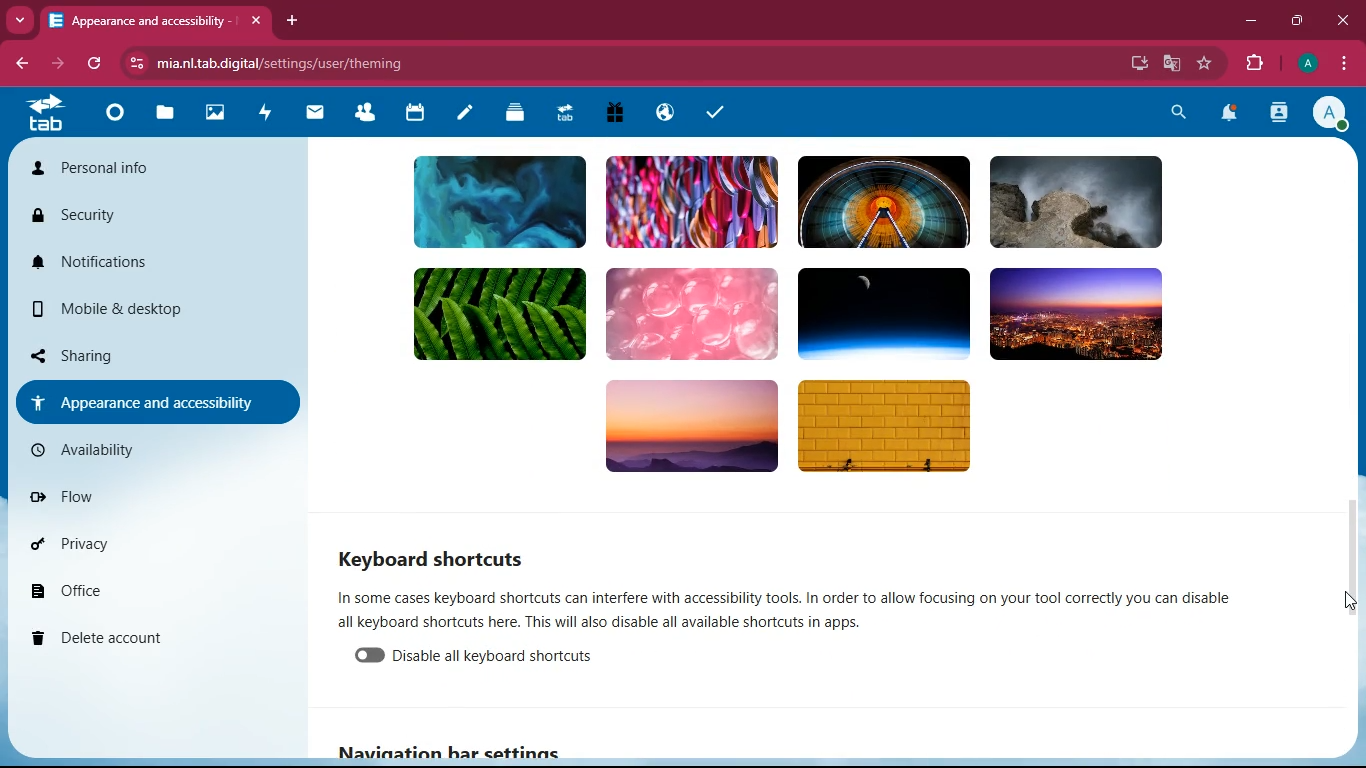 This screenshot has height=768, width=1366. I want to click on availiability, so click(155, 454).